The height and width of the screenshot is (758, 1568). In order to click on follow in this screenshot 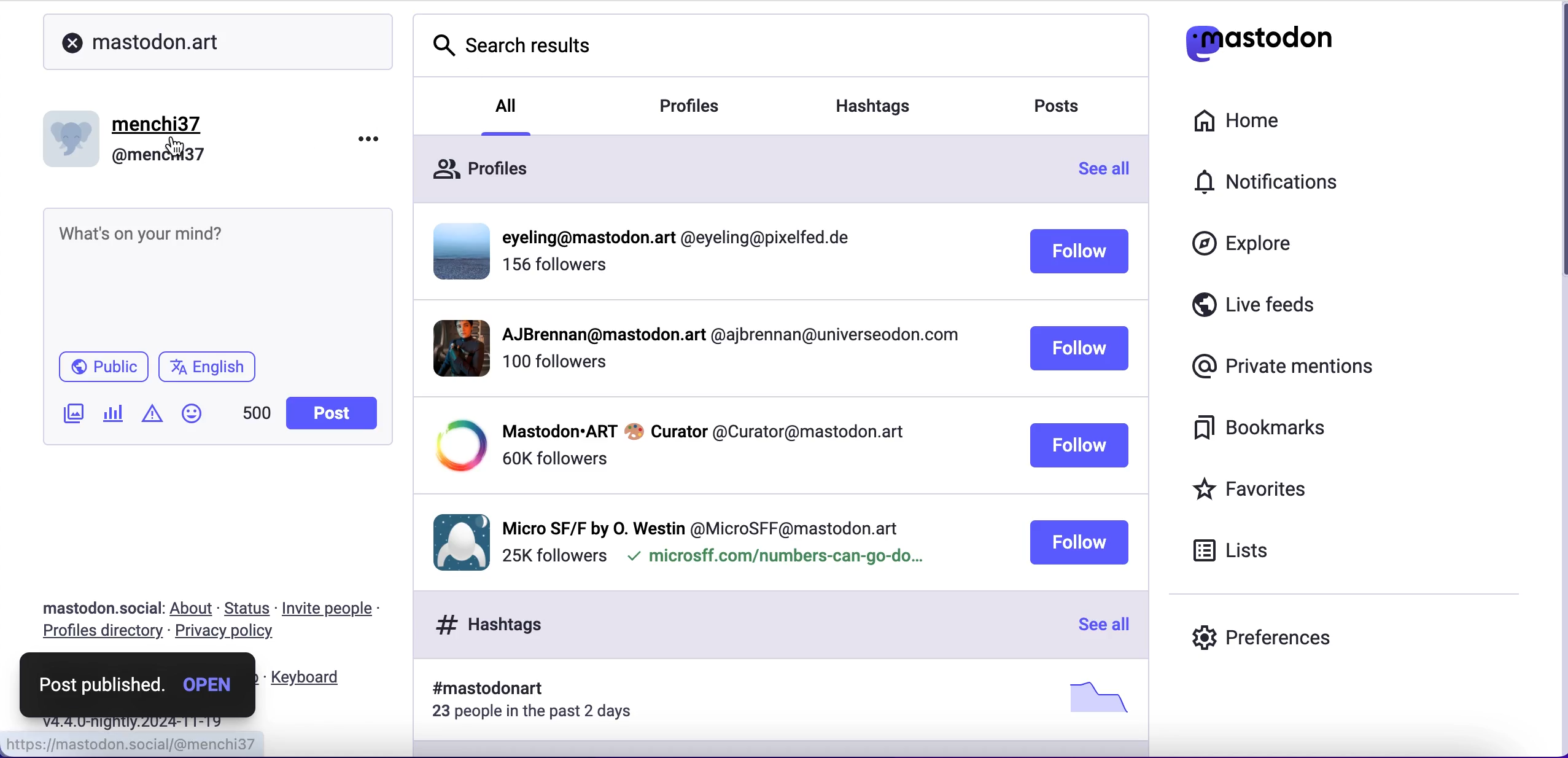, I will do `click(1081, 443)`.